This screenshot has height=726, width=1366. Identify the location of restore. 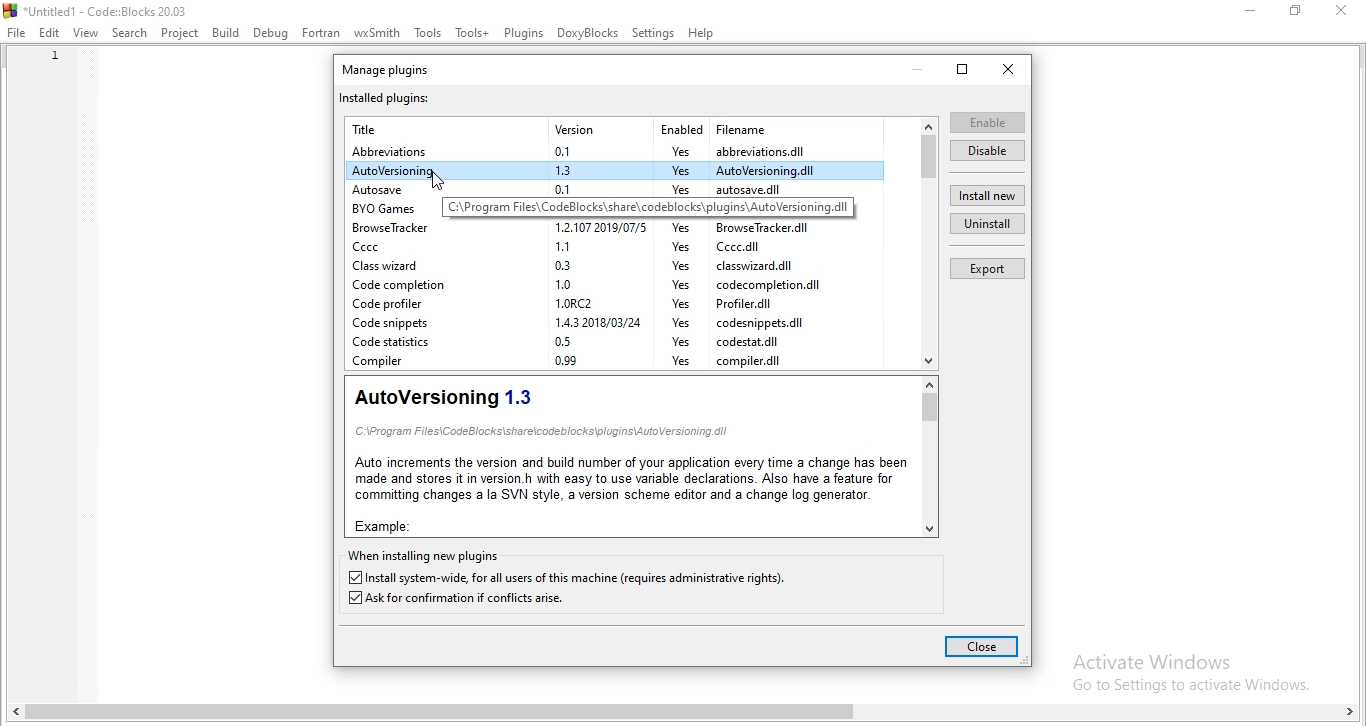
(1296, 11).